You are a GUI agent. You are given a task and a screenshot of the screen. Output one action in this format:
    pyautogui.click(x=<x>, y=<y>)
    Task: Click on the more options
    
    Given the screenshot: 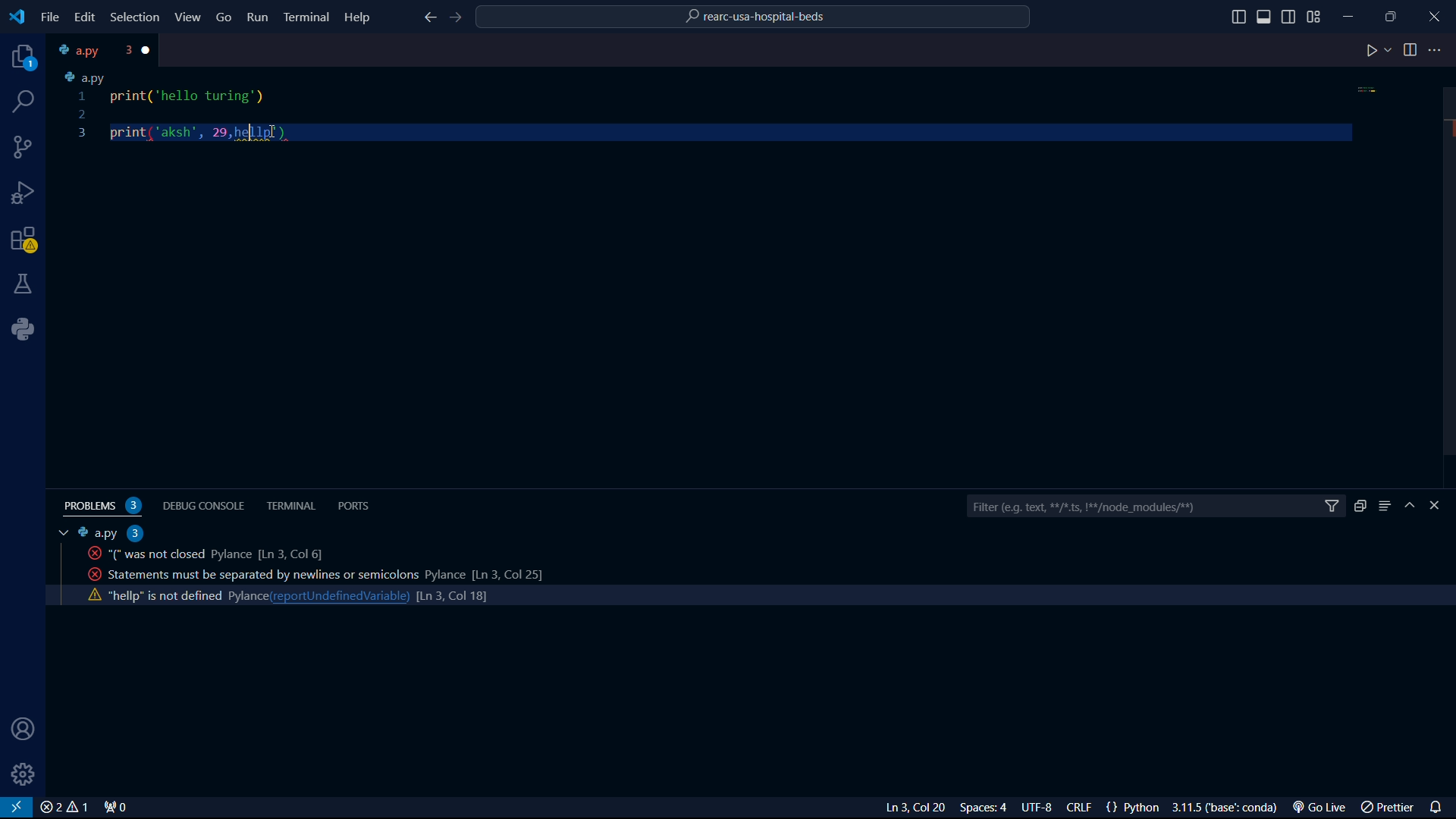 What is the action you would take?
    pyautogui.click(x=1437, y=50)
    